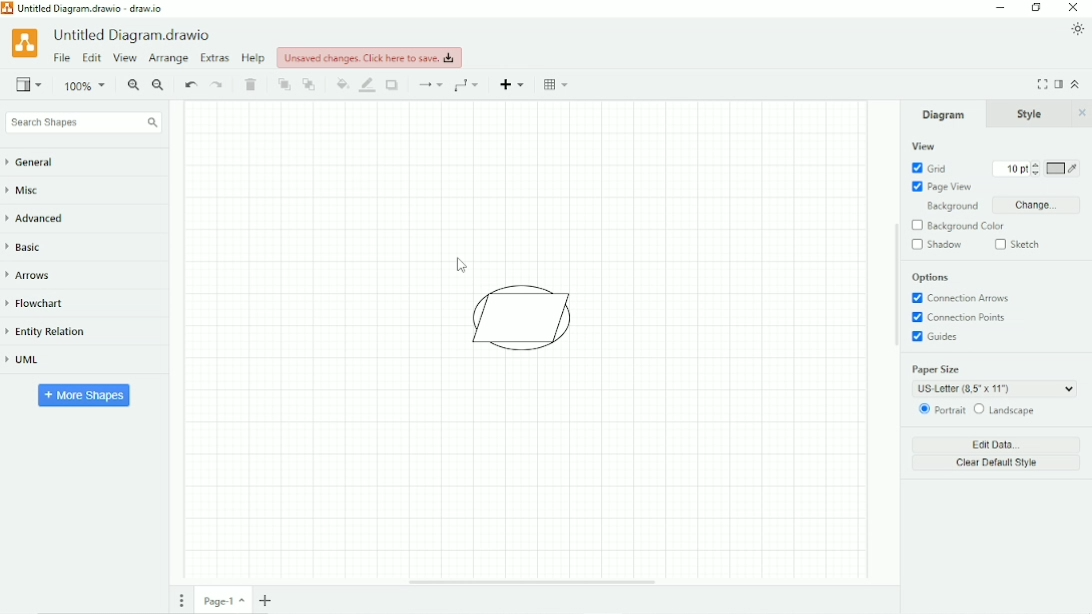 The height and width of the screenshot is (614, 1092). I want to click on Undo, so click(190, 86).